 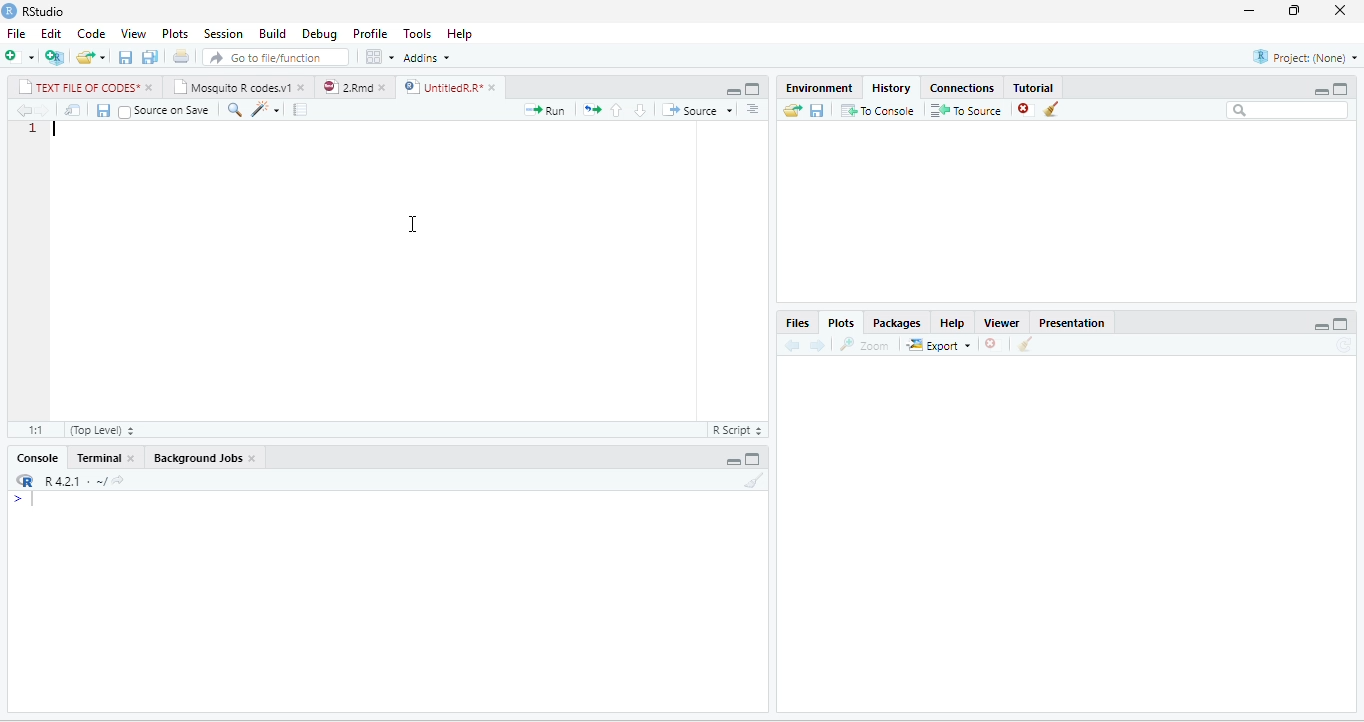 I want to click on 1, so click(x=34, y=129).